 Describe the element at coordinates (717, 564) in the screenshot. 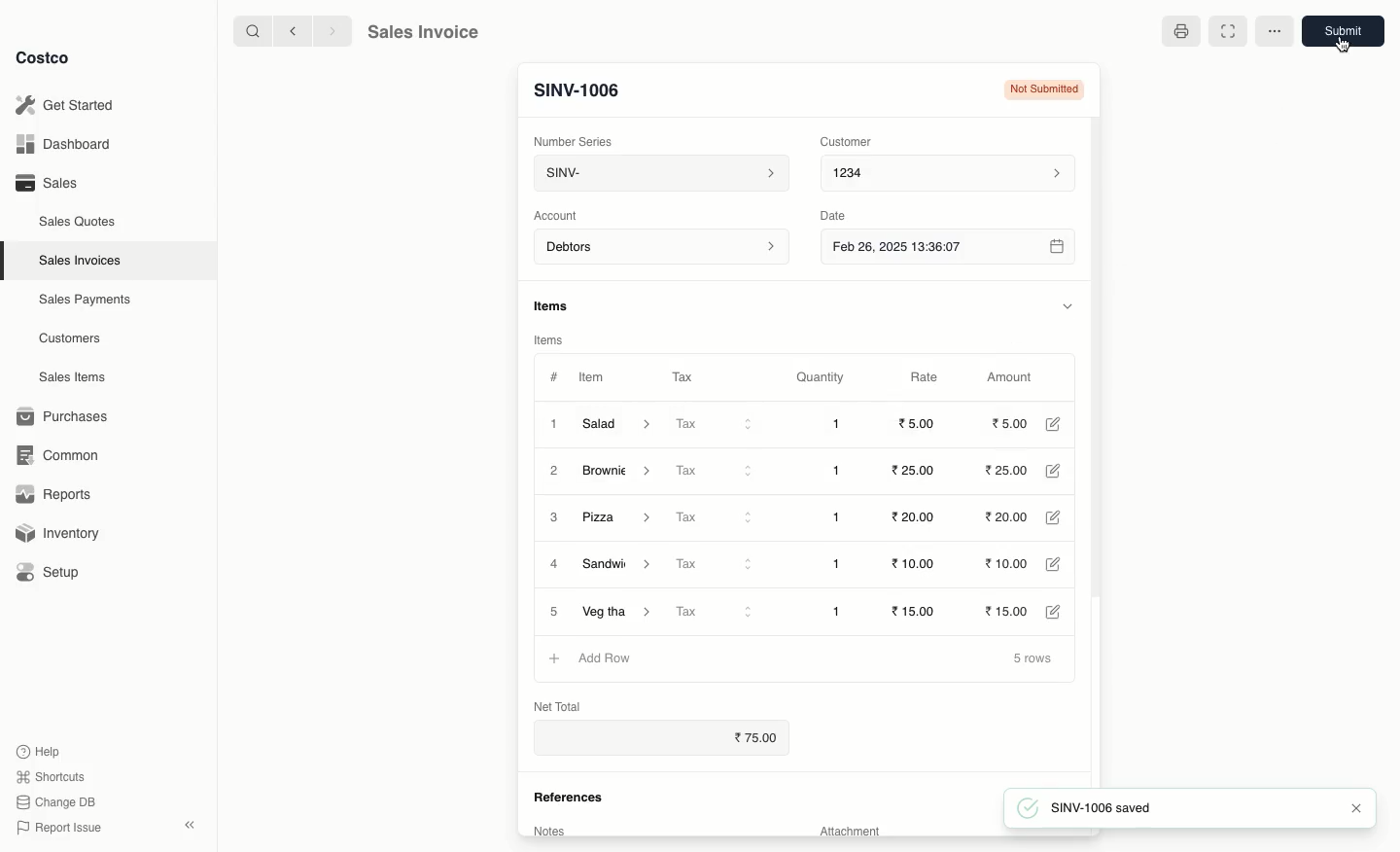

I see `Tax` at that location.